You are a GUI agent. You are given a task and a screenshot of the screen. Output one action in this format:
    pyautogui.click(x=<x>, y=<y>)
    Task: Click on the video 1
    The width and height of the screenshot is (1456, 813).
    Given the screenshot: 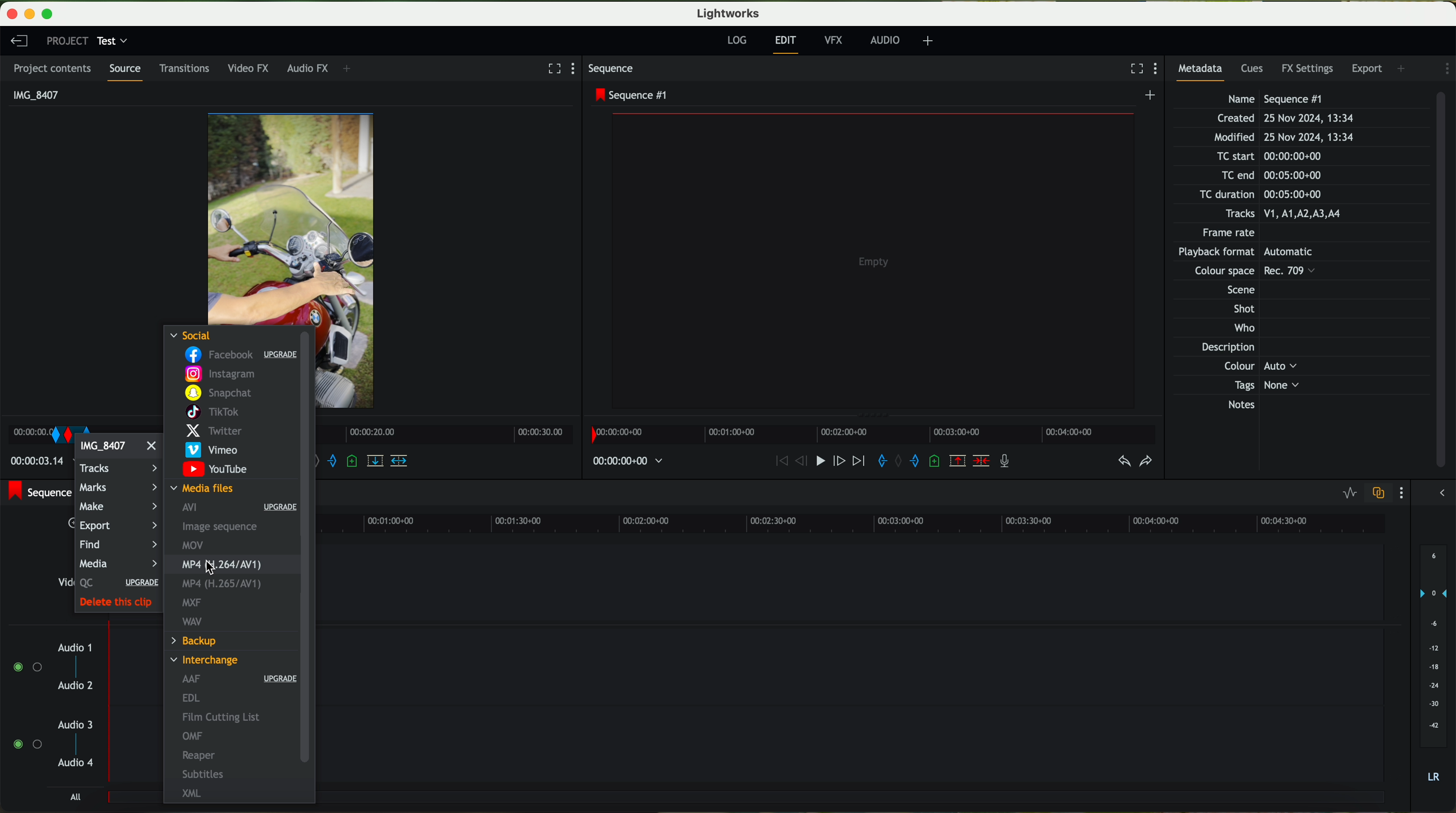 What is the action you would take?
    pyautogui.click(x=861, y=581)
    